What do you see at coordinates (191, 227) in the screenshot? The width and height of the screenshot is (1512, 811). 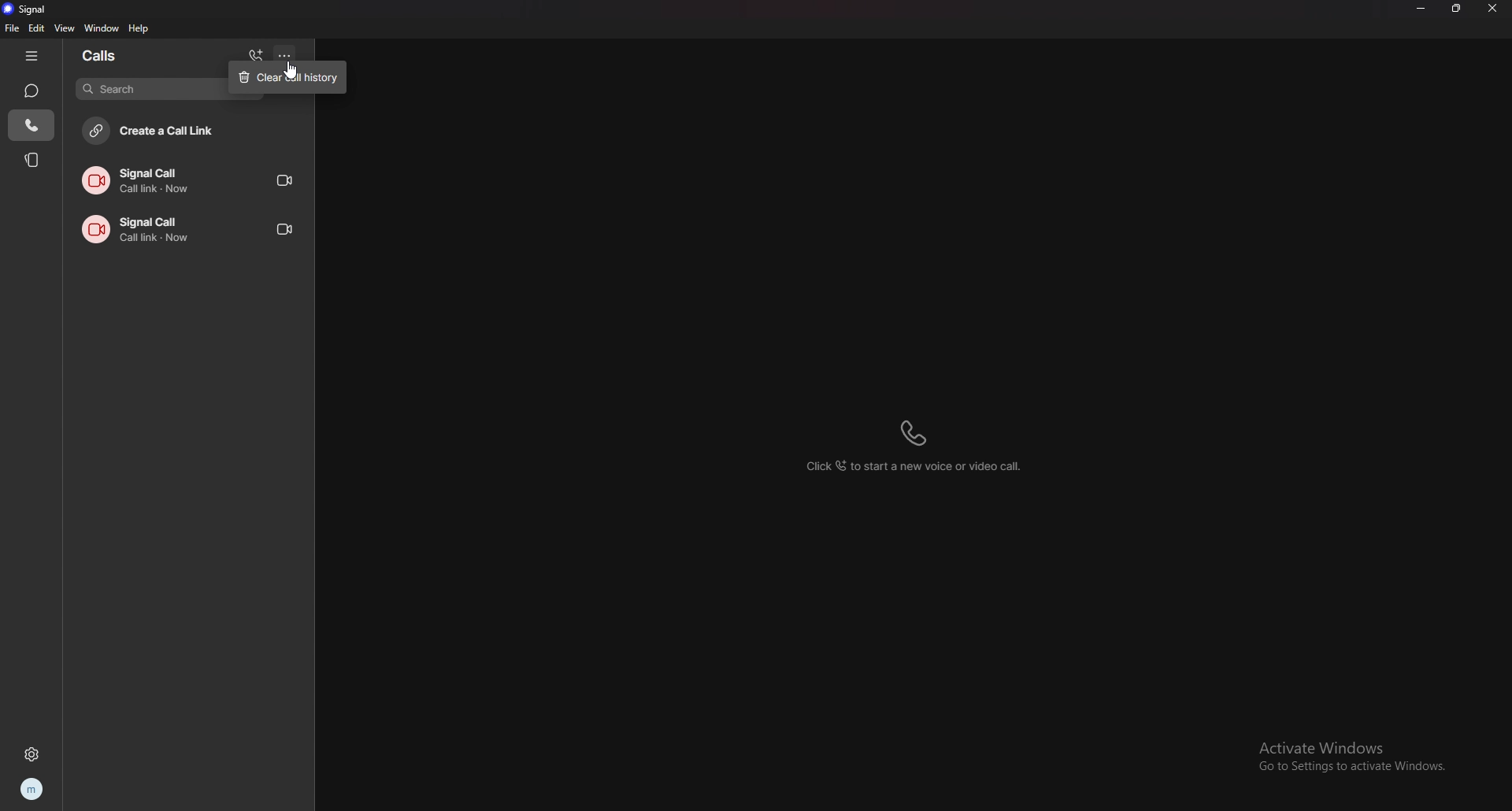 I see `call` at bounding box center [191, 227].